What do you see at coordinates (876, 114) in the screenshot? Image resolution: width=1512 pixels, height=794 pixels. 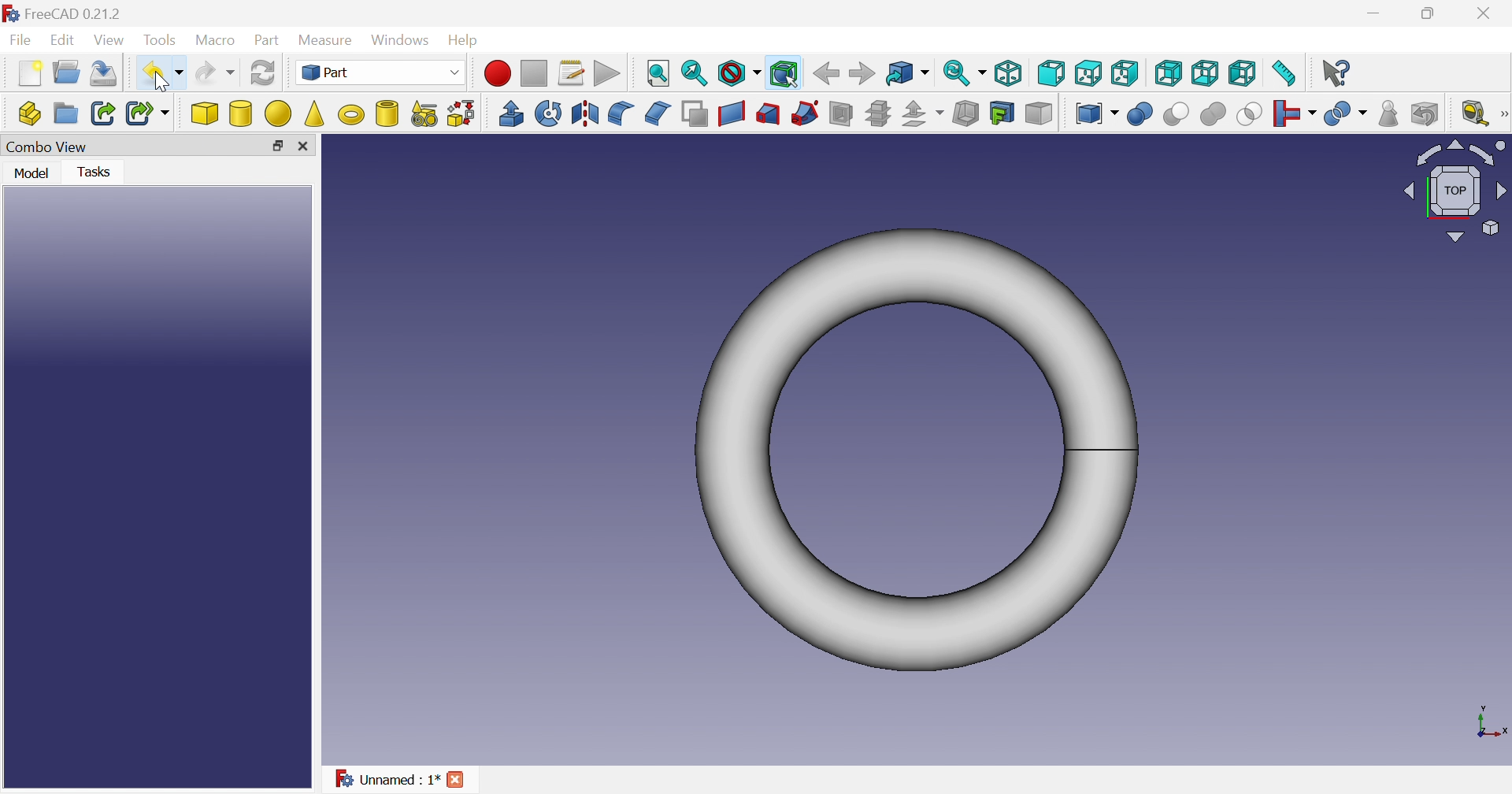 I see `Cross-sections` at bounding box center [876, 114].